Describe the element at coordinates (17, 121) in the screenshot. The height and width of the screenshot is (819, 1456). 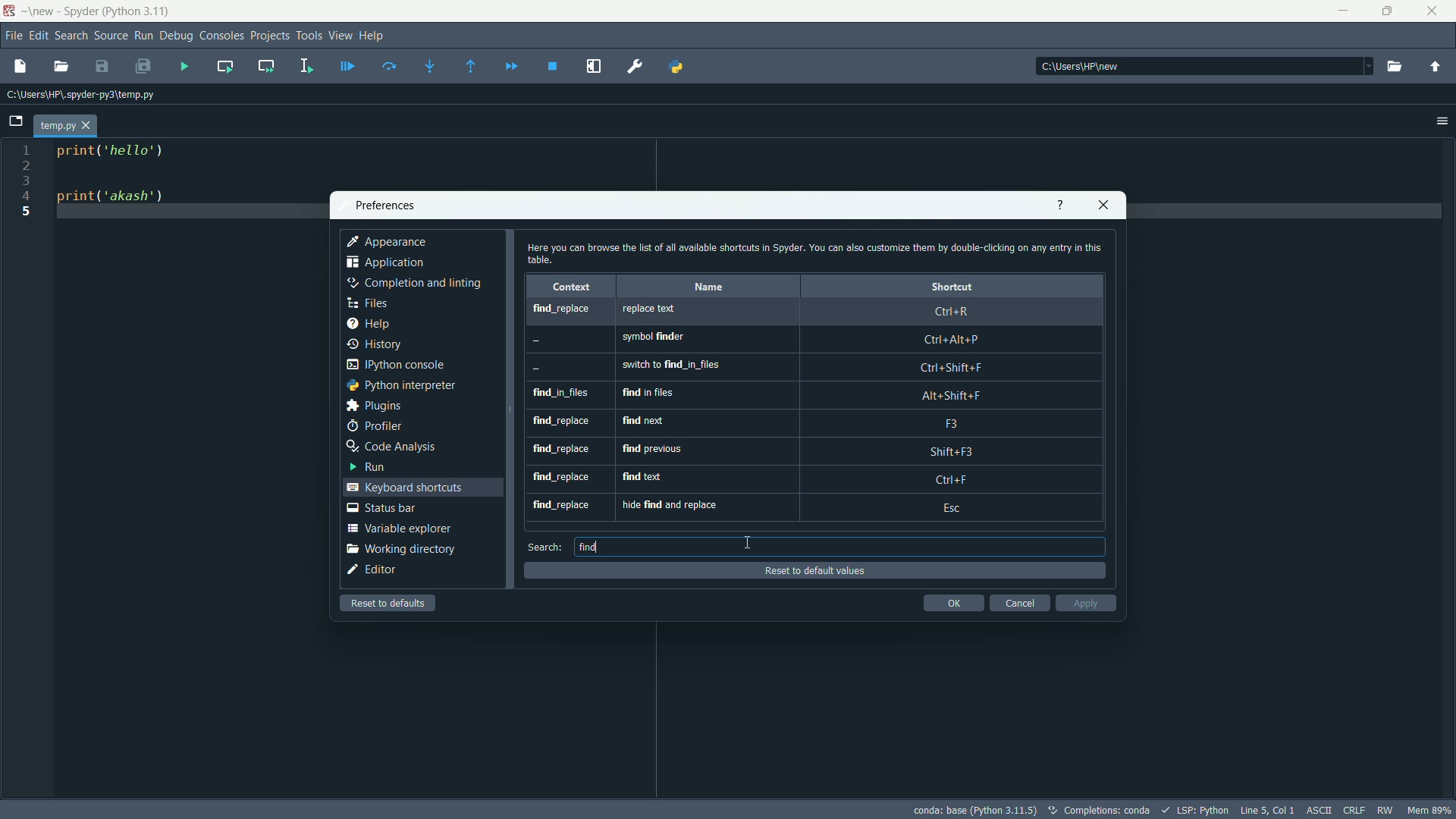
I see `browse tabs` at that location.